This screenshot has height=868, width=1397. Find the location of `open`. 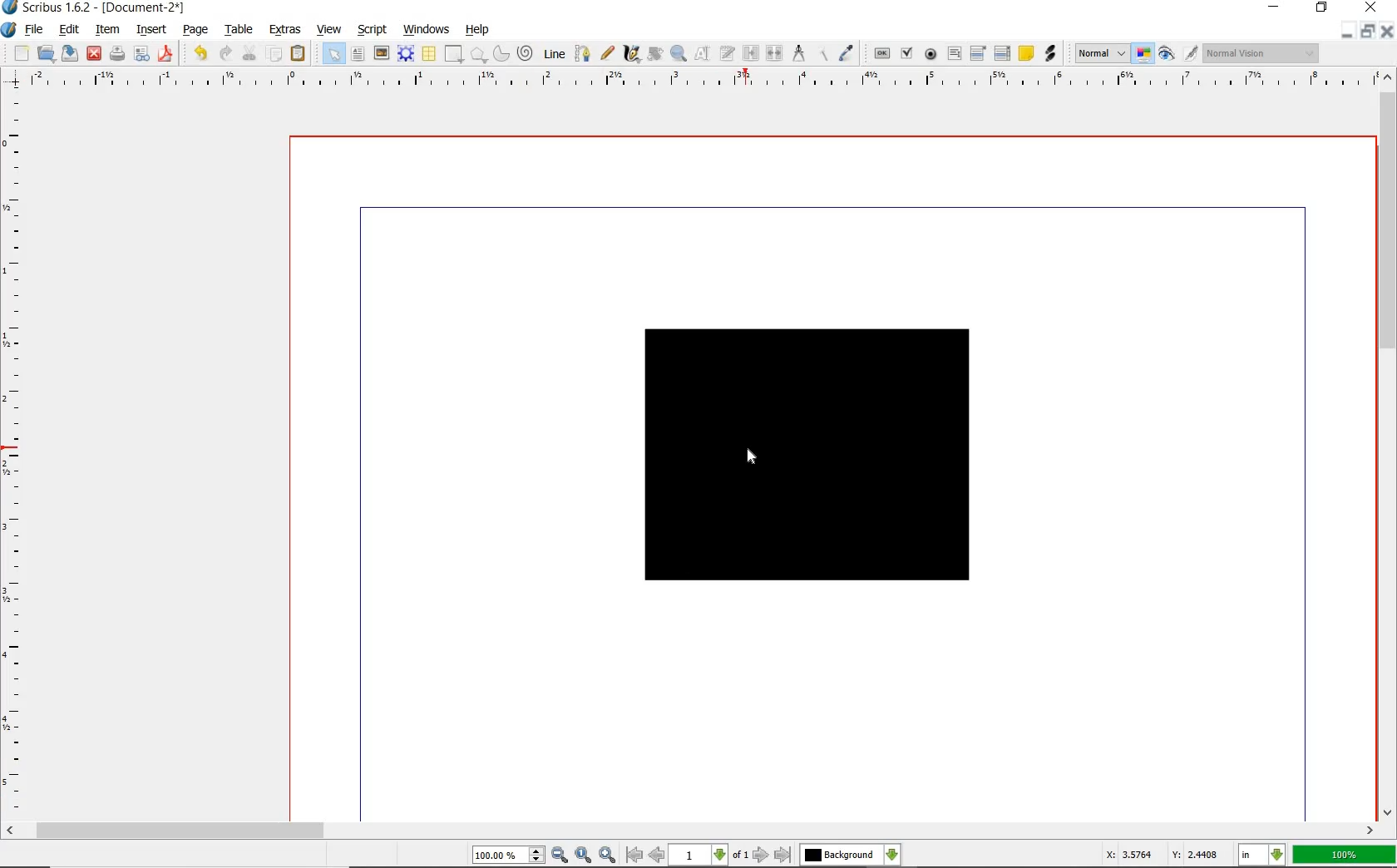

open is located at coordinates (45, 55).